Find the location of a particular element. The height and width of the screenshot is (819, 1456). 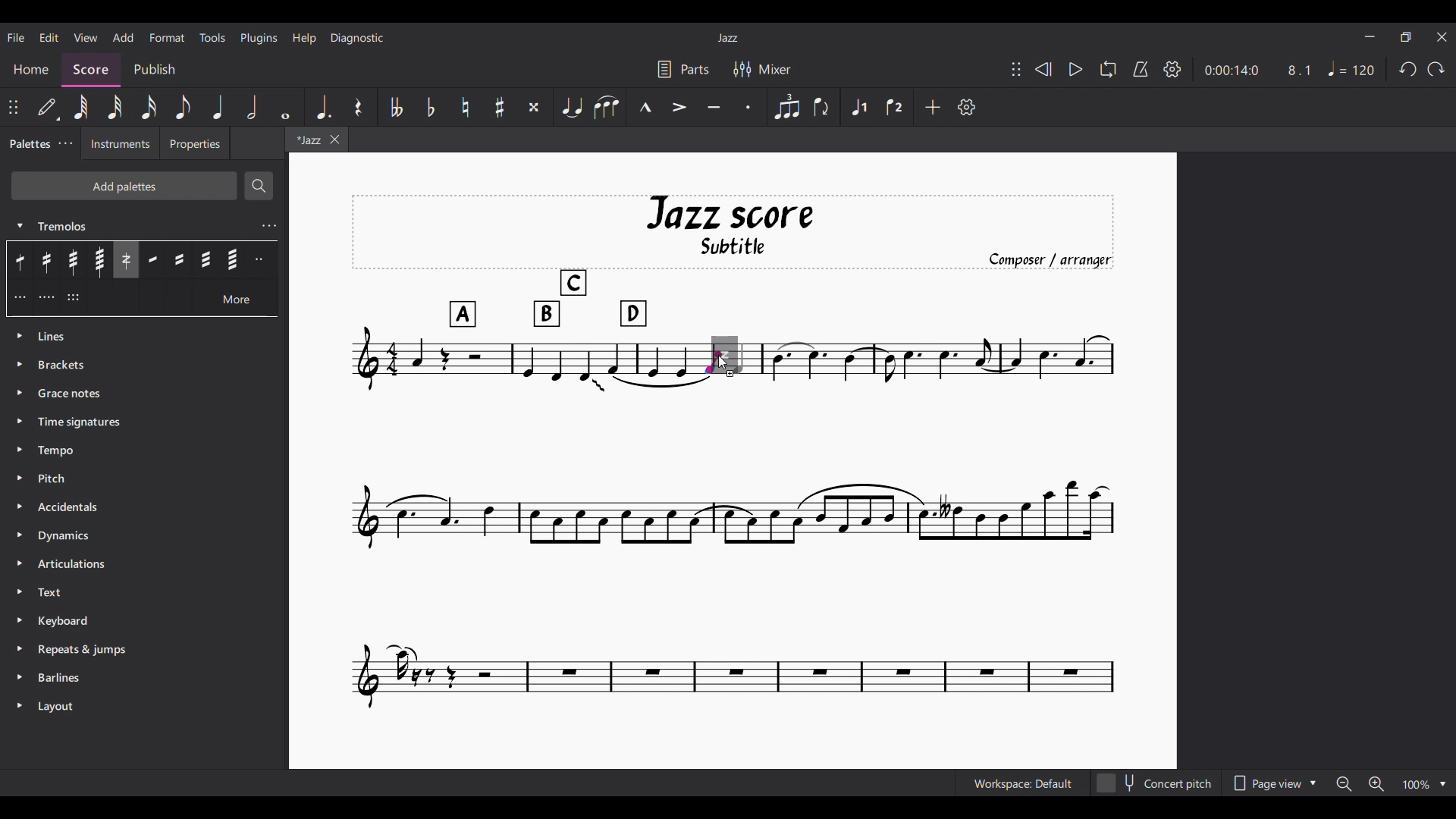

Rewind is located at coordinates (1043, 69).